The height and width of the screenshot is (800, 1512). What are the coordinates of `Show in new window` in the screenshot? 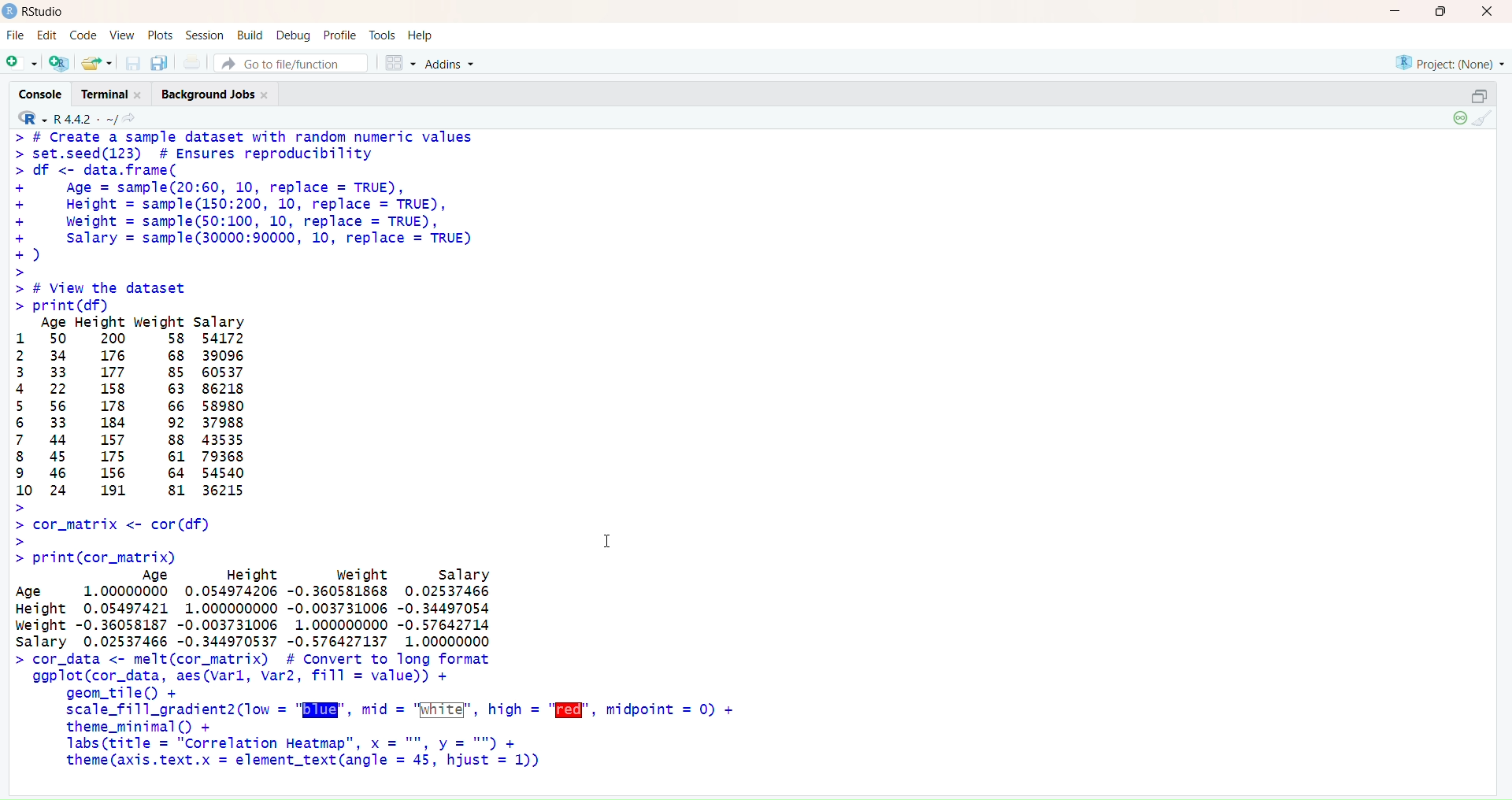 It's located at (135, 118).